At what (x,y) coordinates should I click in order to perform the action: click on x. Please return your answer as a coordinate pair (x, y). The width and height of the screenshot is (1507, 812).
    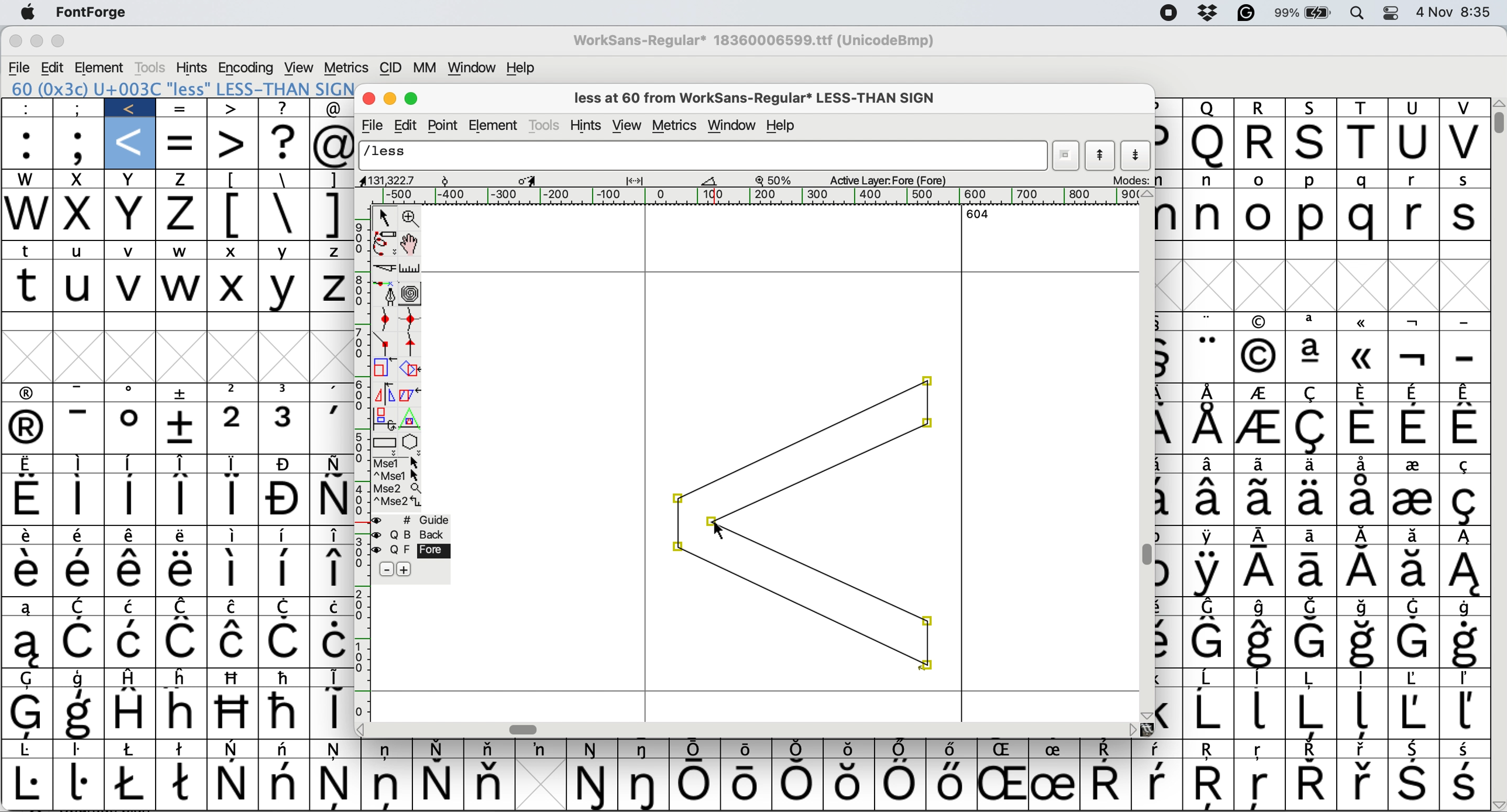
    Looking at the image, I should click on (80, 215).